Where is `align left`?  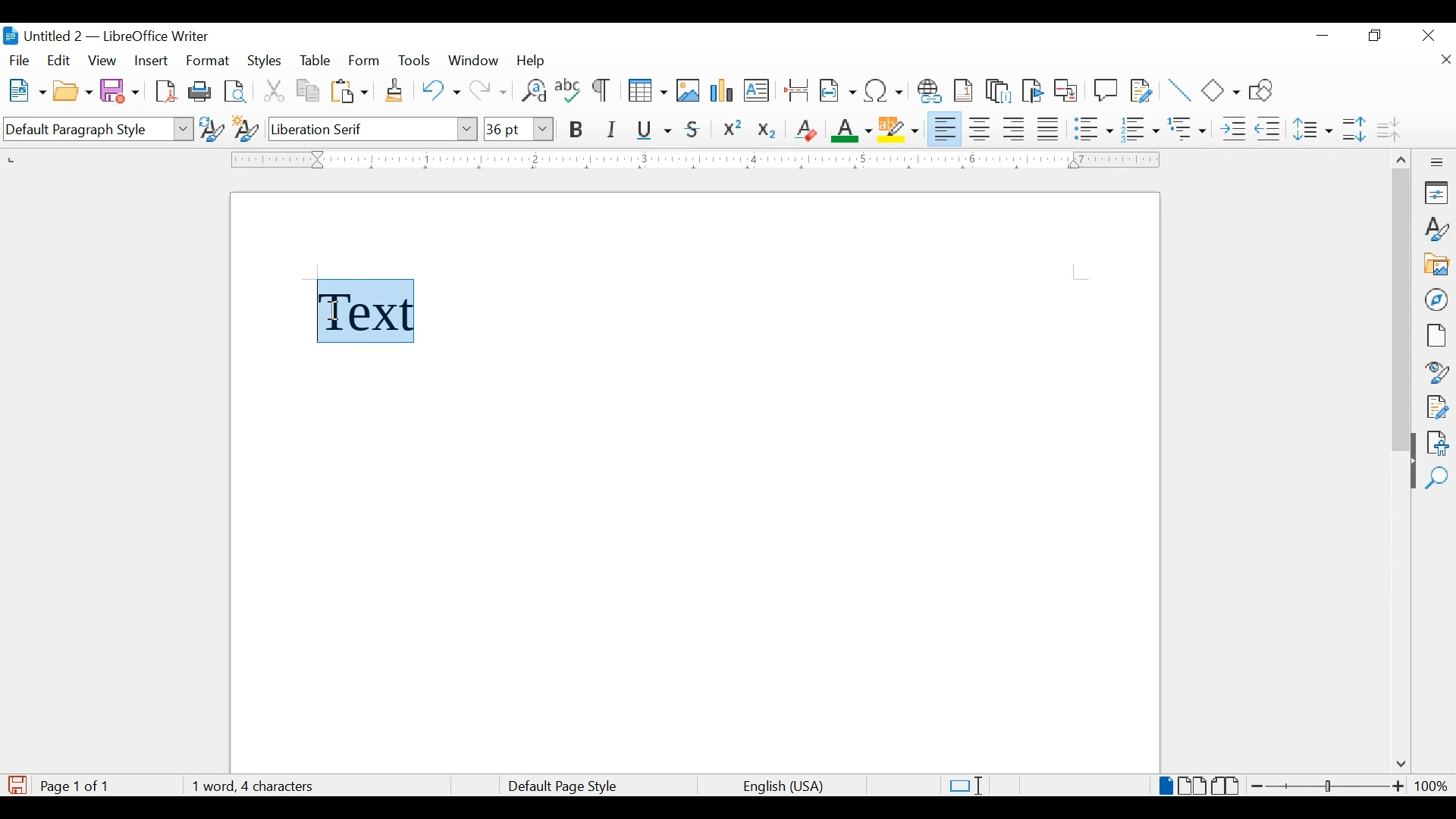
align left is located at coordinates (946, 127).